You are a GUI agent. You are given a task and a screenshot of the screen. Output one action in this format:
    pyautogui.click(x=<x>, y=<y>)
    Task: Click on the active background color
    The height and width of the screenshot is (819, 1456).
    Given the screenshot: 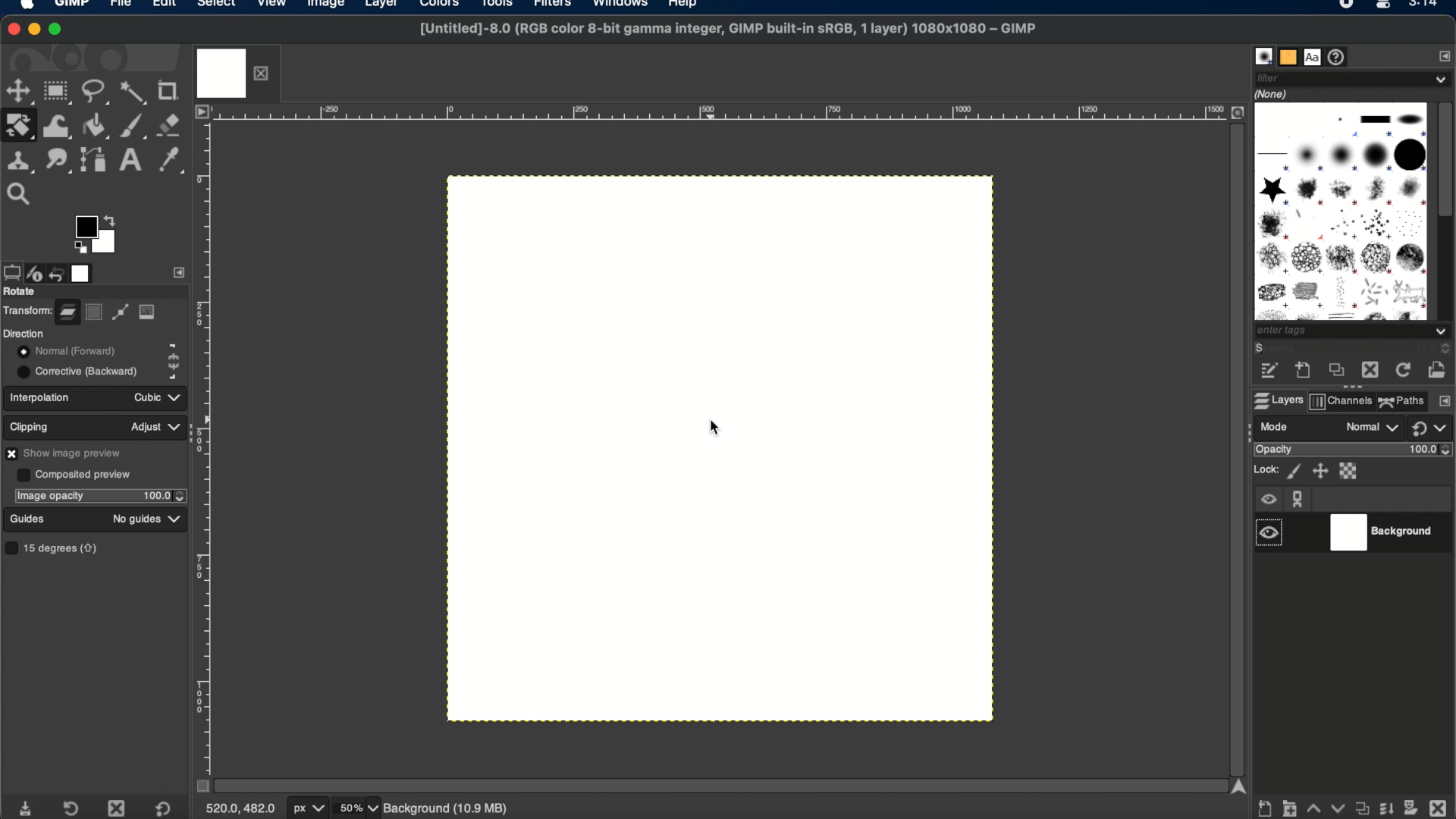 What is the action you would take?
    pyautogui.click(x=108, y=249)
    